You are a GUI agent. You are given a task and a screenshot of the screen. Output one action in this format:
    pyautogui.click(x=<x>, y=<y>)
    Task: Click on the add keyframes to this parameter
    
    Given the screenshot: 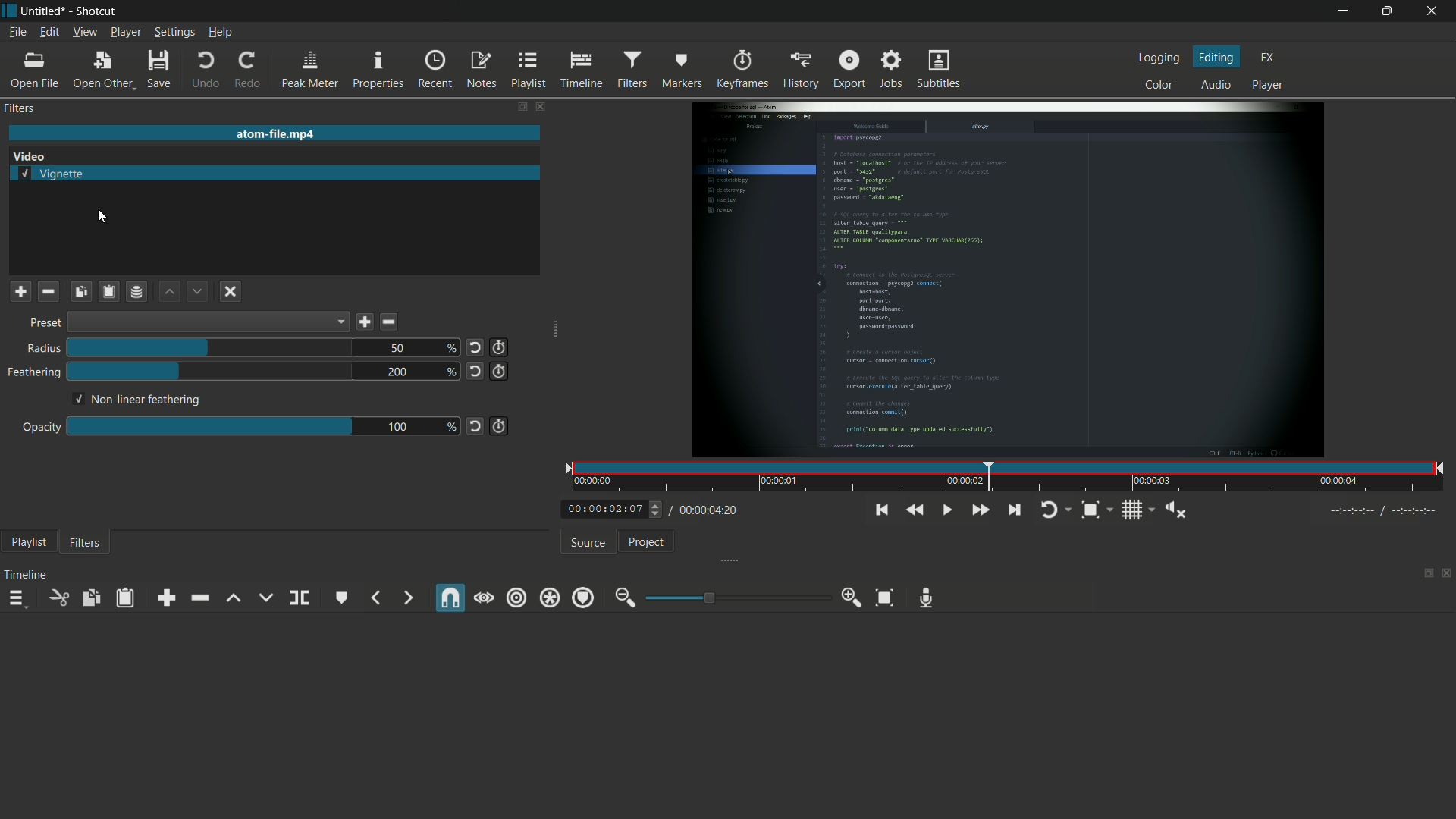 What is the action you would take?
    pyautogui.click(x=499, y=348)
    